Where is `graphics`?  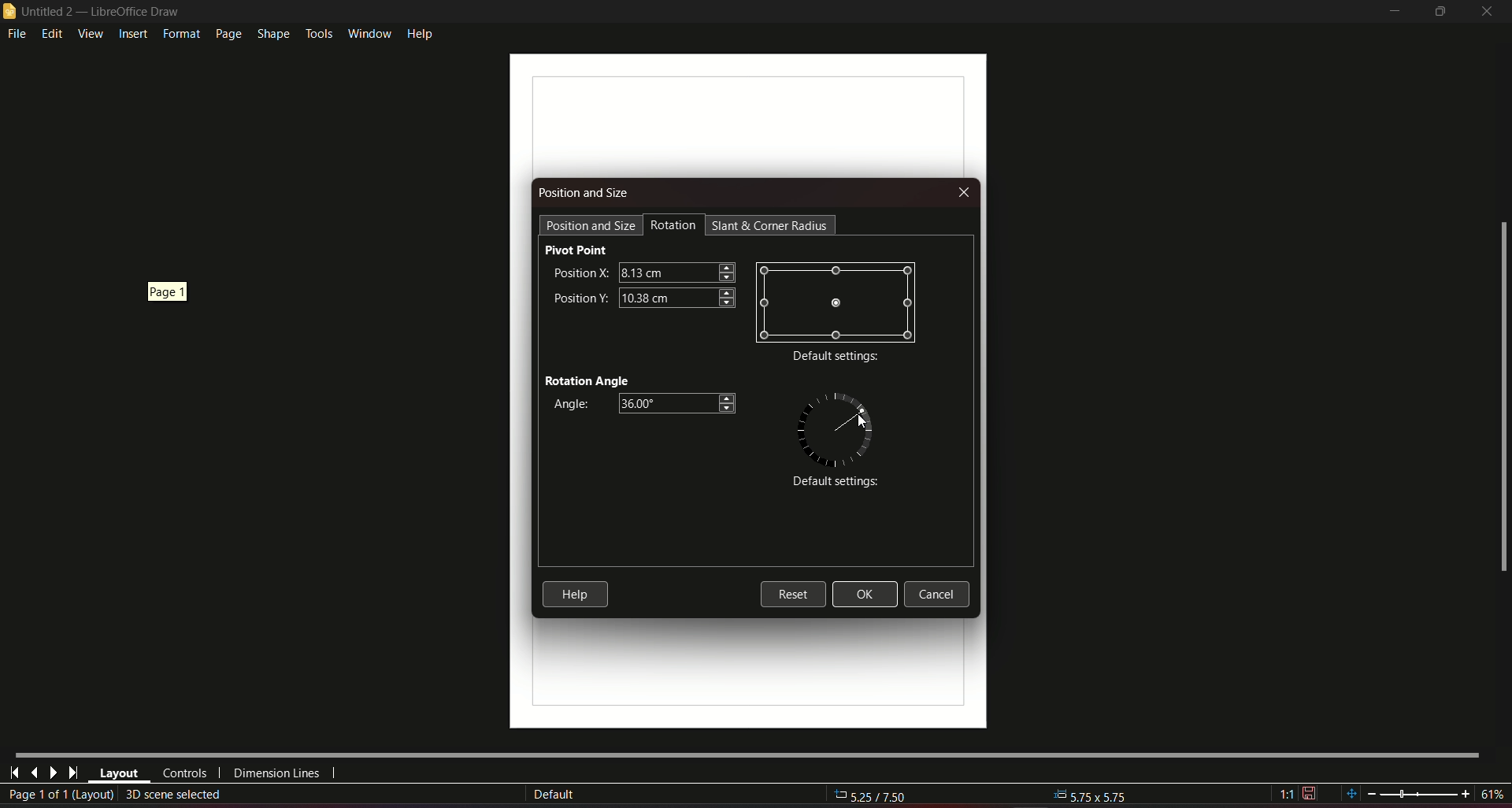 graphics is located at coordinates (836, 427).